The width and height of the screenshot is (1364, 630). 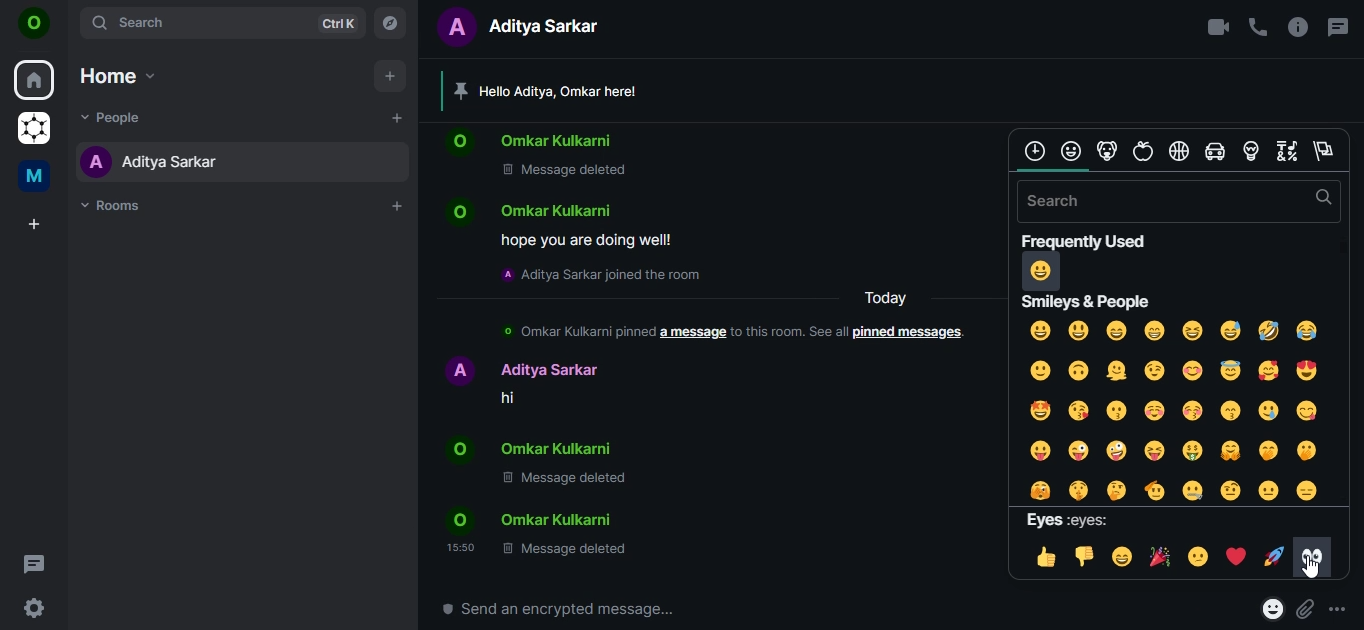 What do you see at coordinates (1193, 490) in the screenshot?
I see `zipper mouth face` at bounding box center [1193, 490].